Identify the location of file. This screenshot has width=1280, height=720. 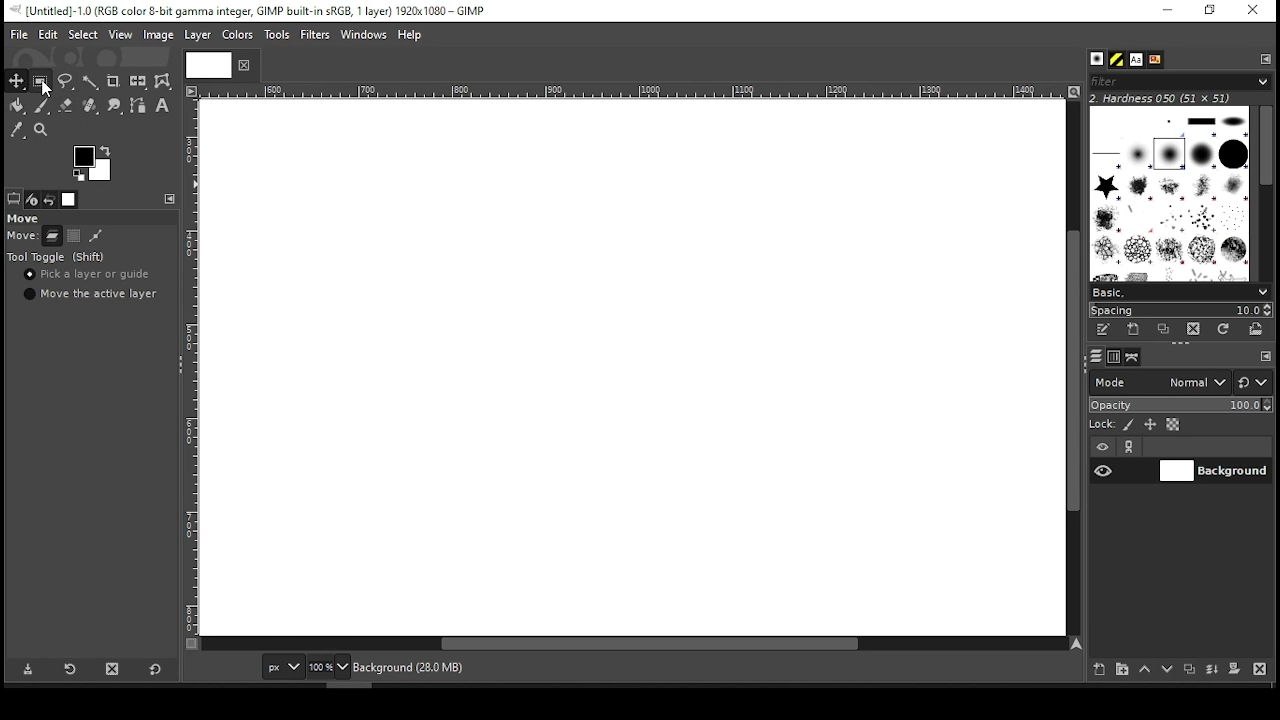
(19, 35).